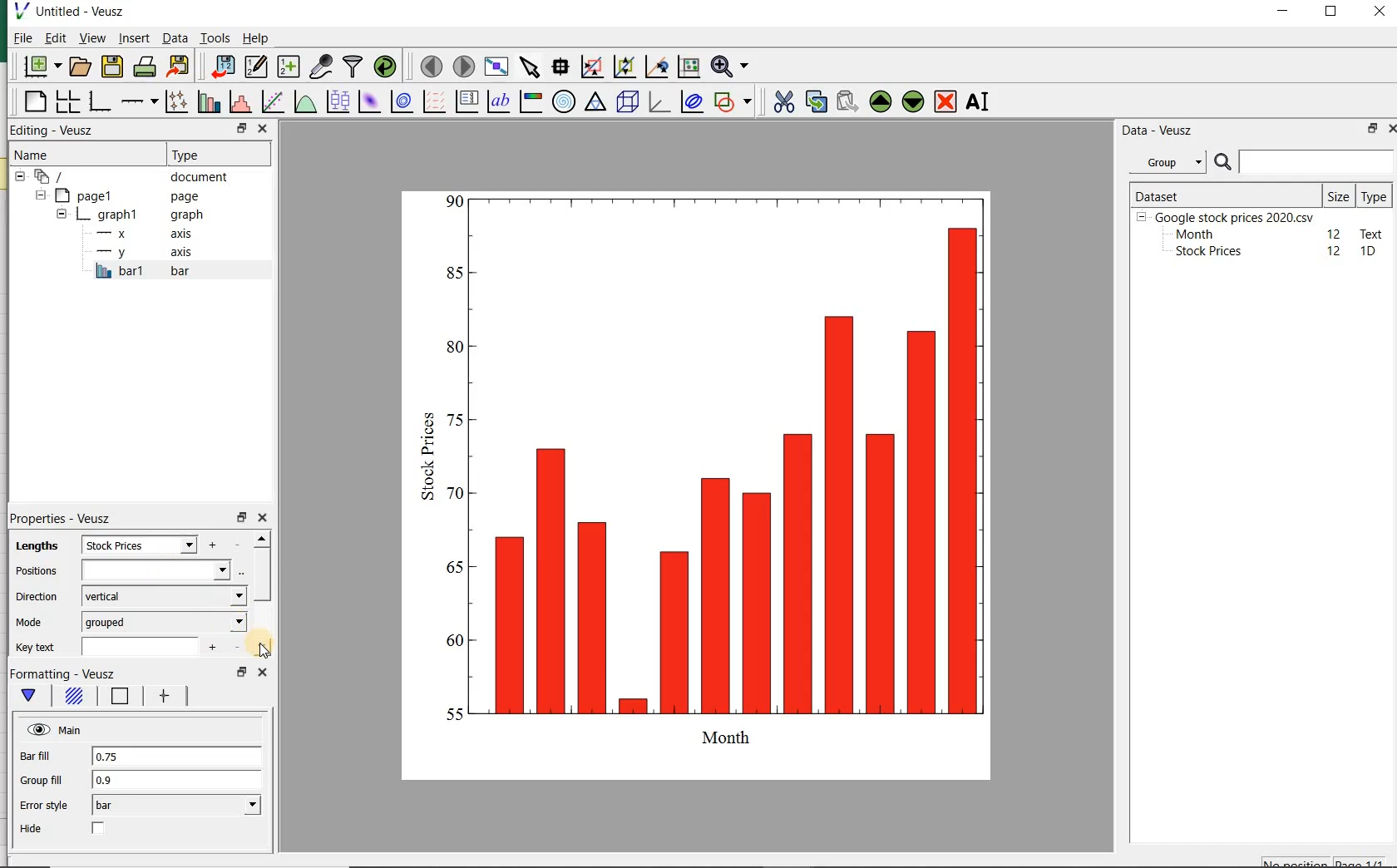 The height and width of the screenshot is (868, 1397). Describe the element at coordinates (1228, 216) in the screenshot. I see `Google stock prices 2020.csv` at that location.